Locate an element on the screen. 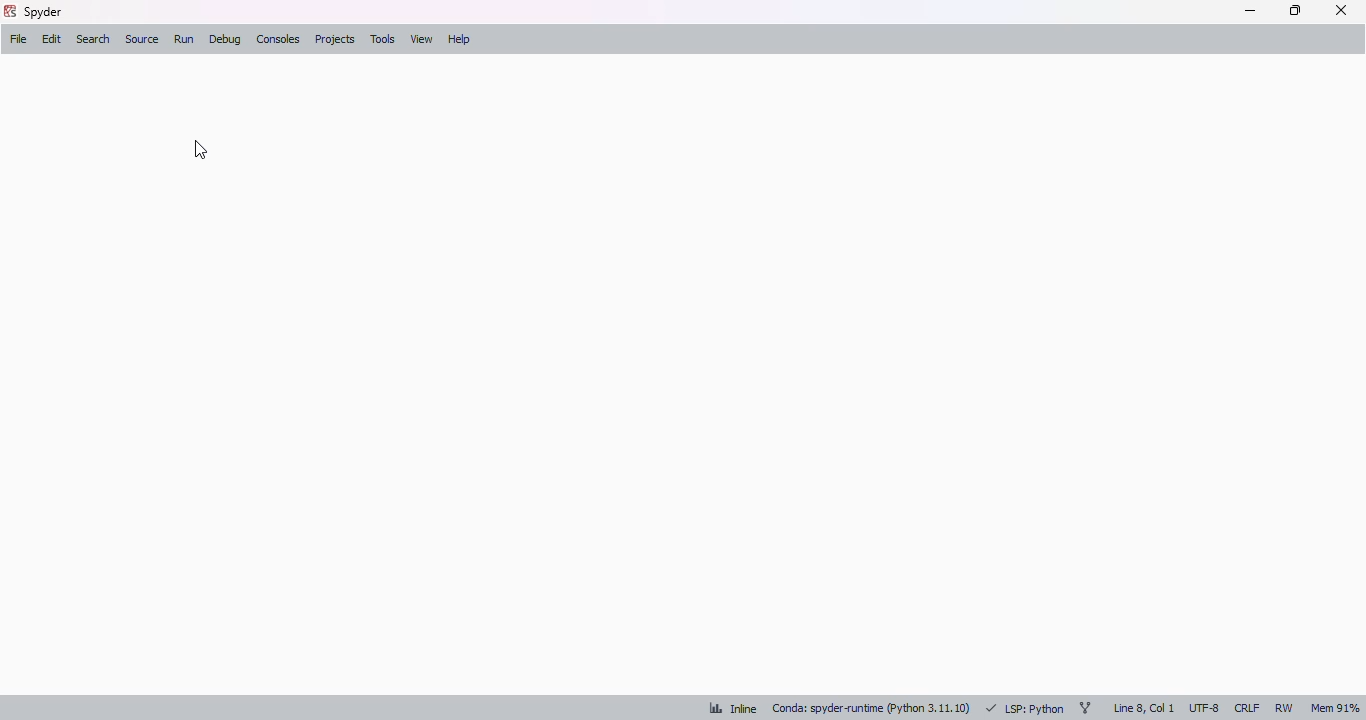 The height and width of the screenshot is (720, 1366). edit is located at coordinates (52, 40).